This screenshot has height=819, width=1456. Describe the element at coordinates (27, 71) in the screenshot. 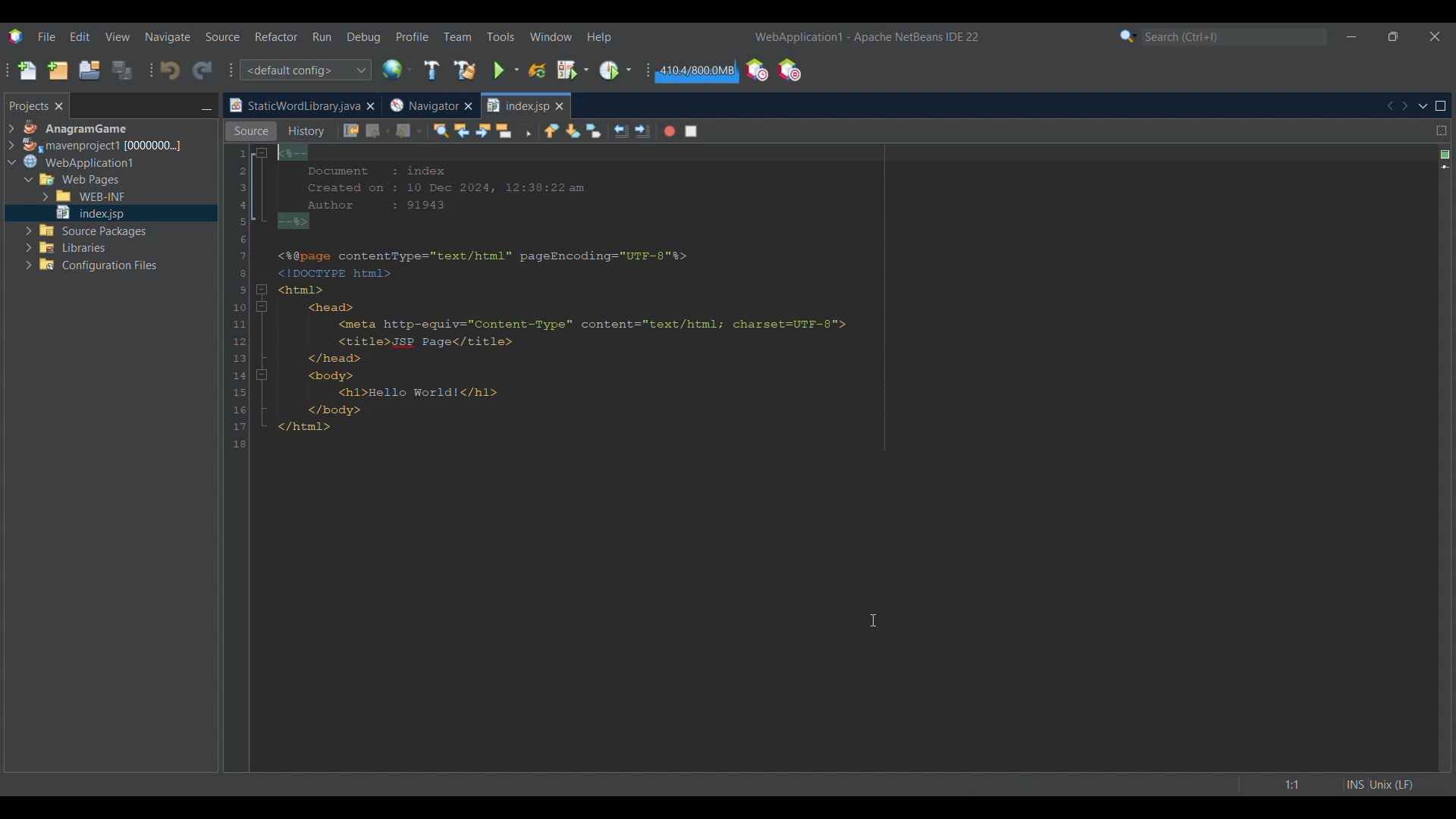

I see `New file` at that location.